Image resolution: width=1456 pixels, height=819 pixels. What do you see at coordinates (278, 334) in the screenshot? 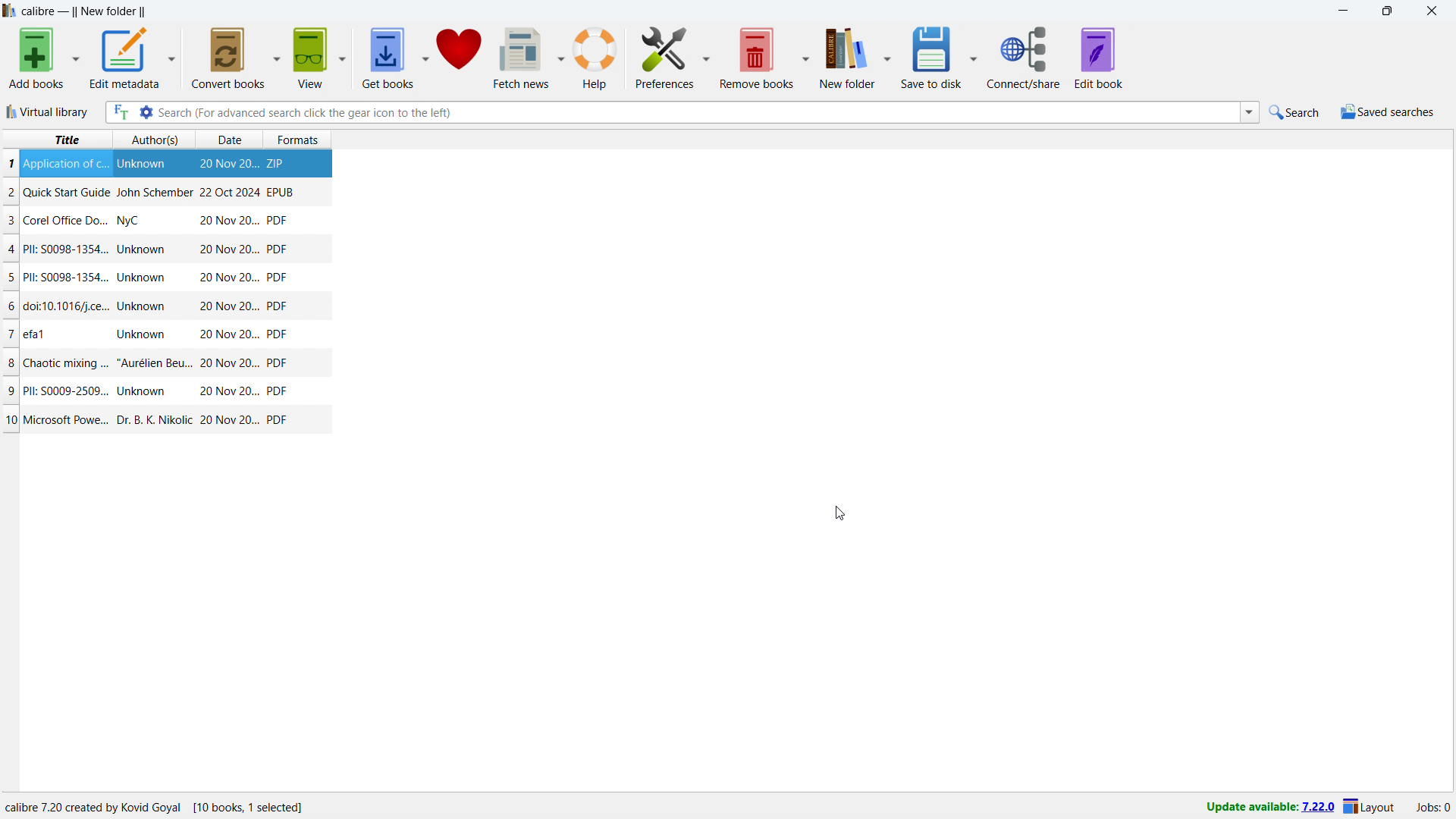
I see `PDF` at bounding box center [278, 334].